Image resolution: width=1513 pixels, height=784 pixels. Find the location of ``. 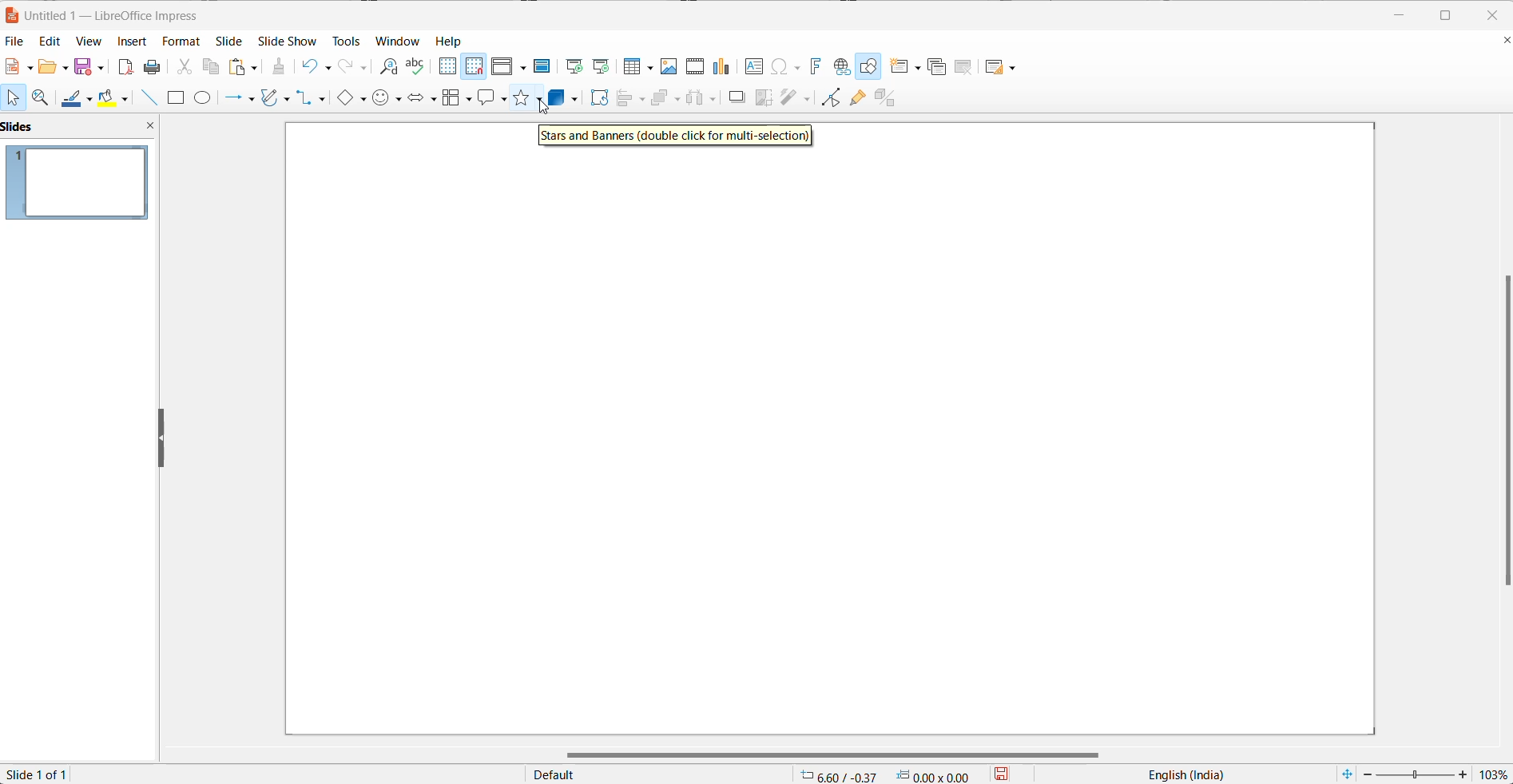

 is located at coordinates (704, 98).